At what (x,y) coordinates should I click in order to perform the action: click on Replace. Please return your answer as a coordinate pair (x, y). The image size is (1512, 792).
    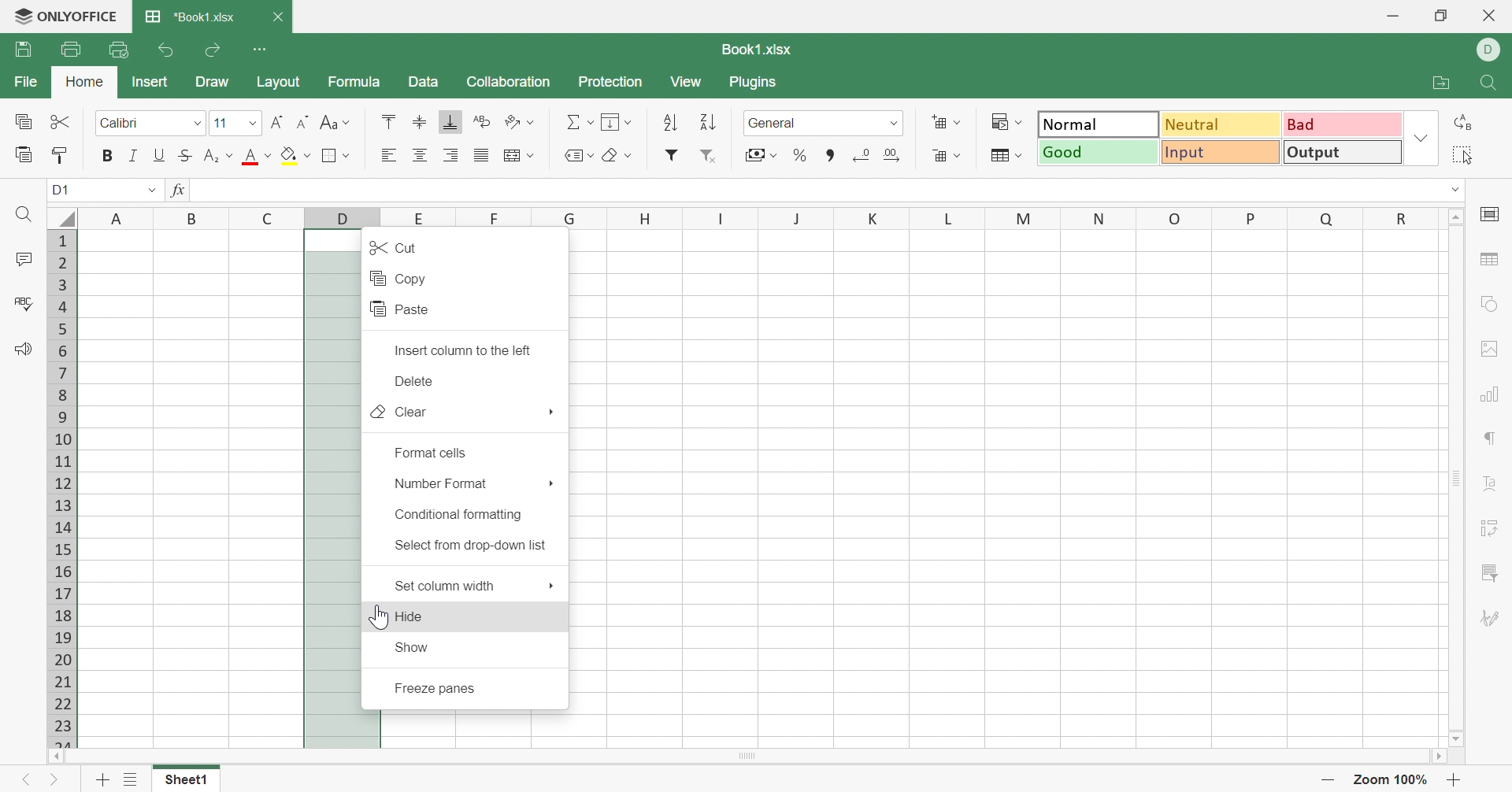
    Looking at the image, I should click on (1460, 124).